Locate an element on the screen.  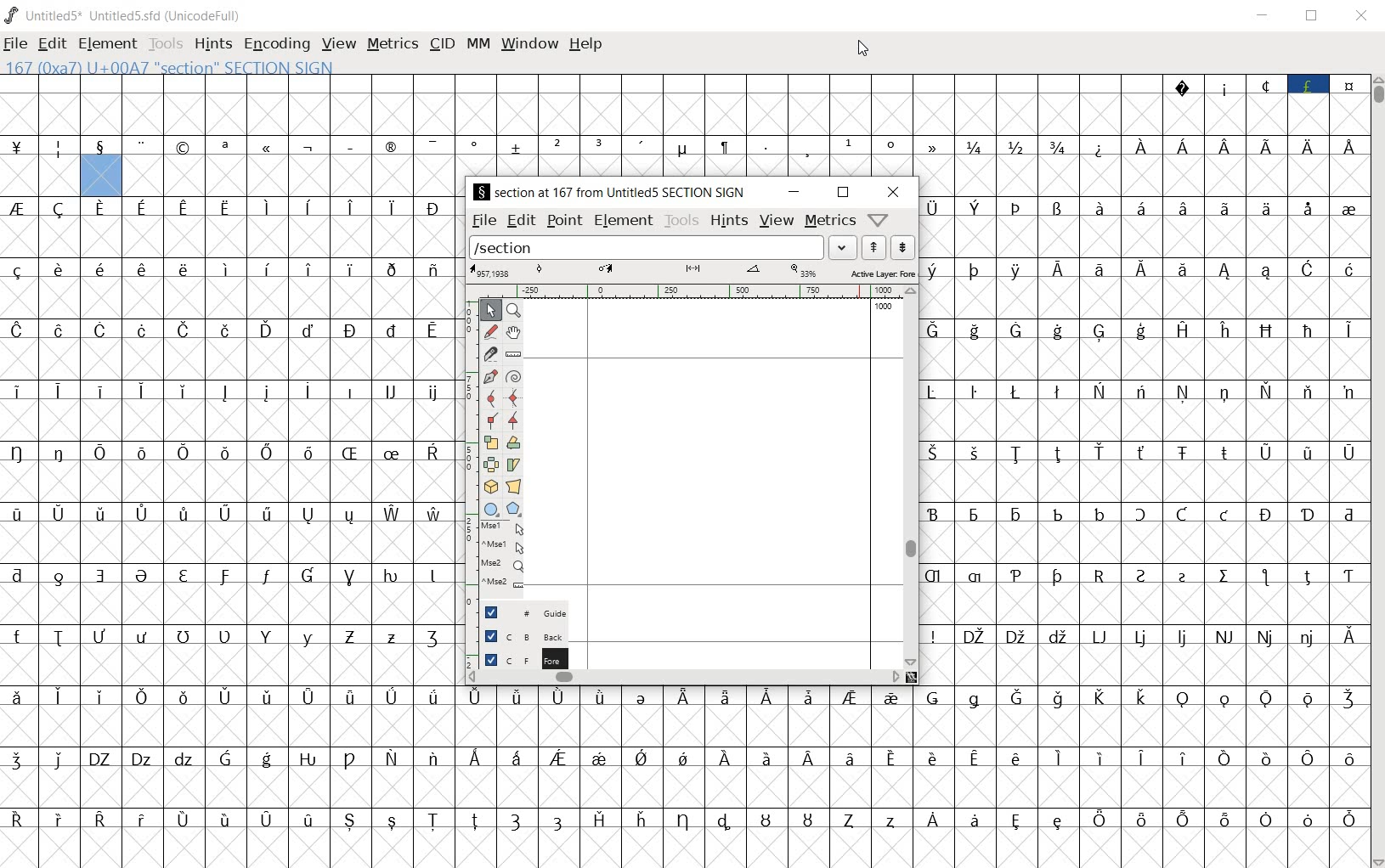
POINTER is located at coordinates (490, 310).